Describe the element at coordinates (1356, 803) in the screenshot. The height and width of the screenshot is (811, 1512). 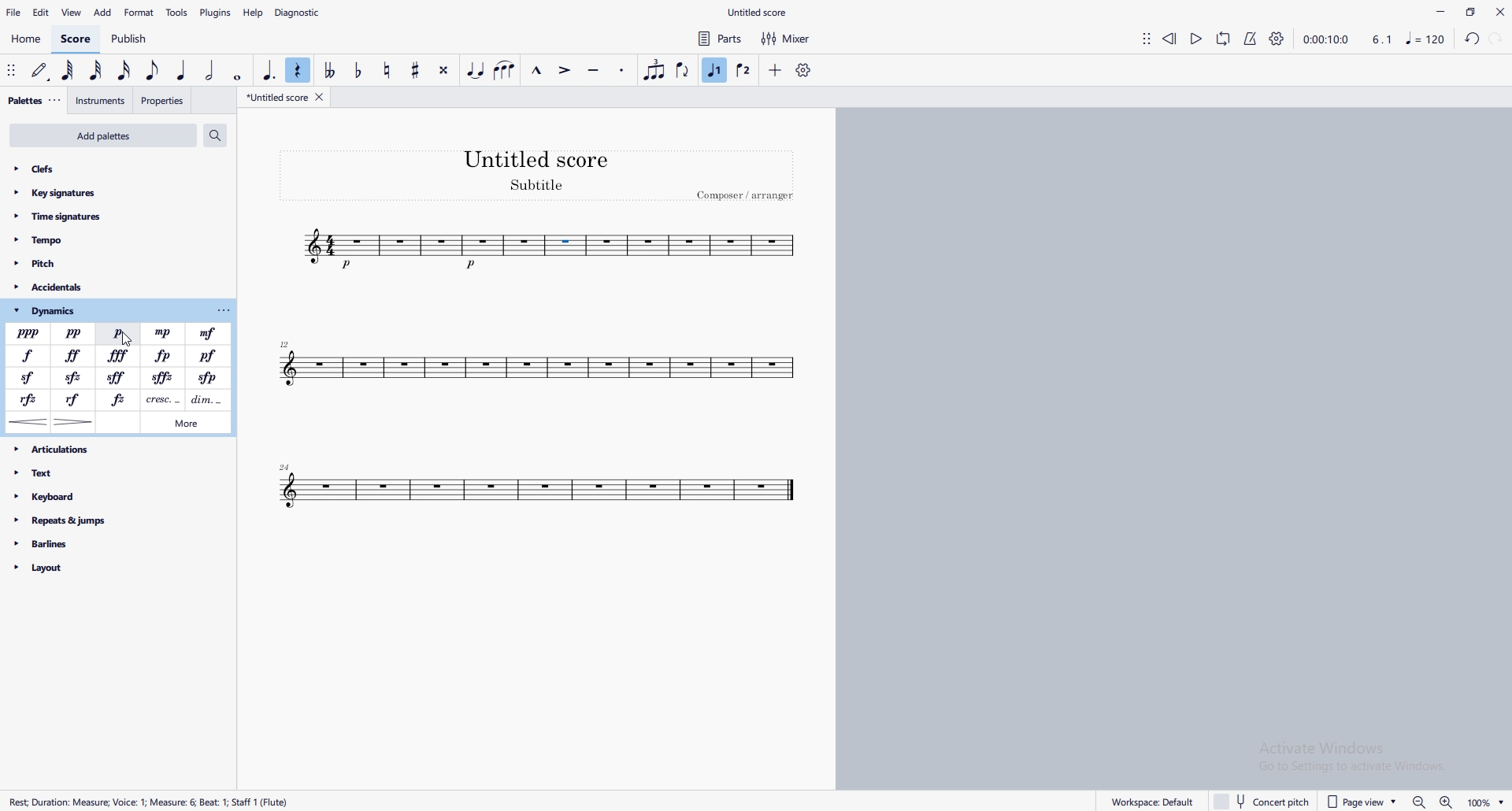
I see `page view` at that location.